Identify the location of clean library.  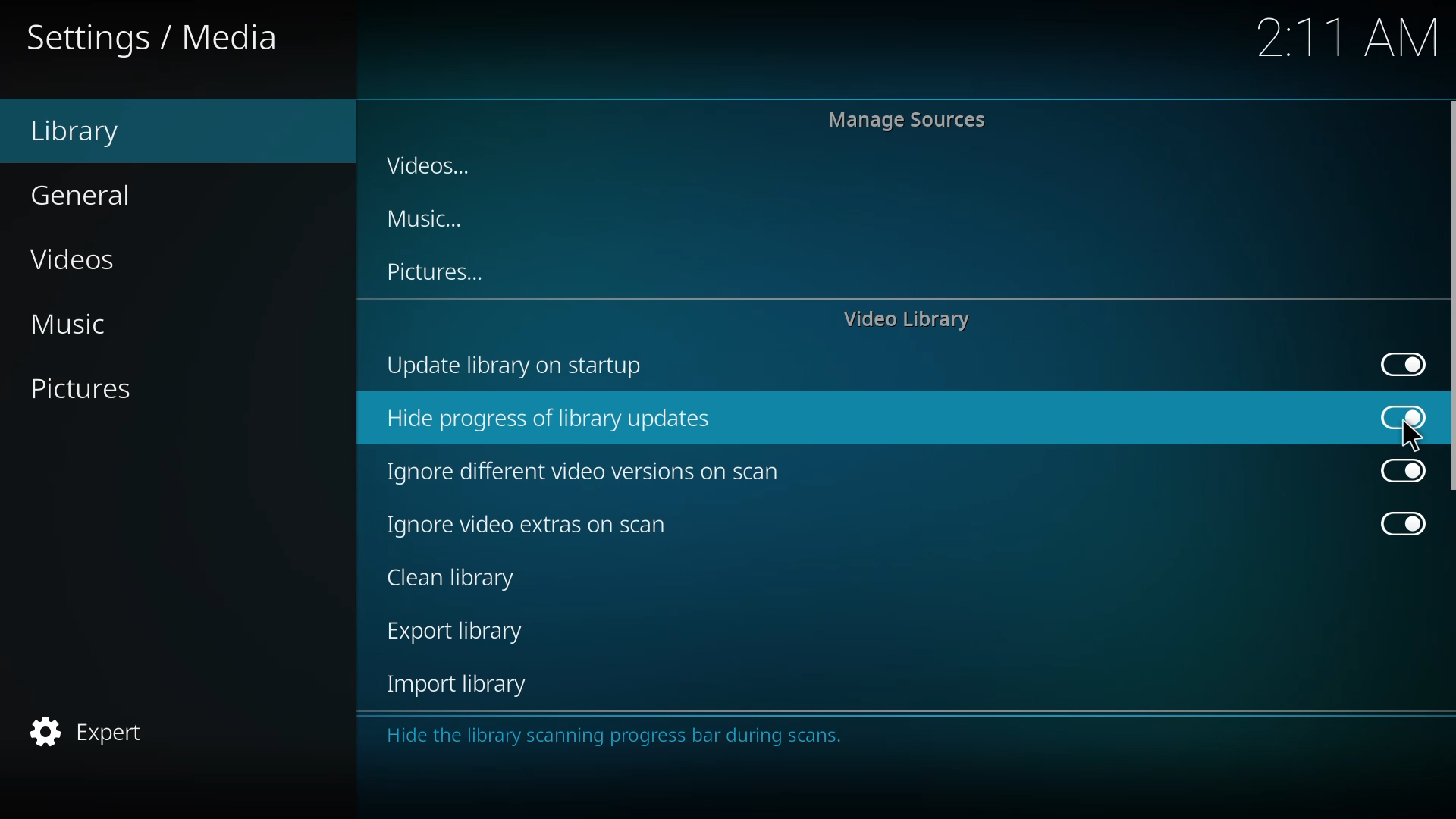
(449, 579).